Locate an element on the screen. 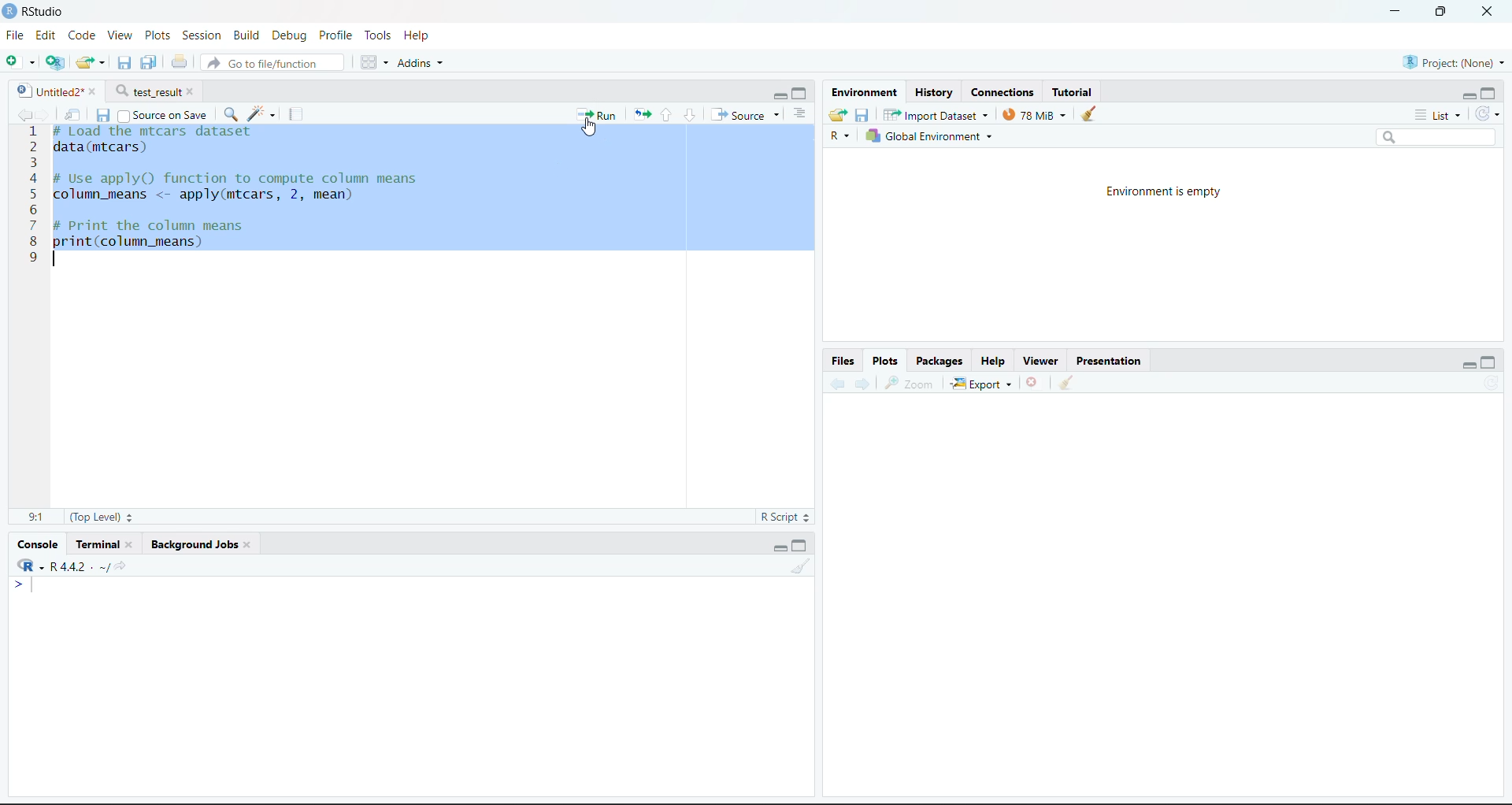 Image resolution: width=1512 pixels, height=805 pixels. Close is located at coordinates (1483, 13).